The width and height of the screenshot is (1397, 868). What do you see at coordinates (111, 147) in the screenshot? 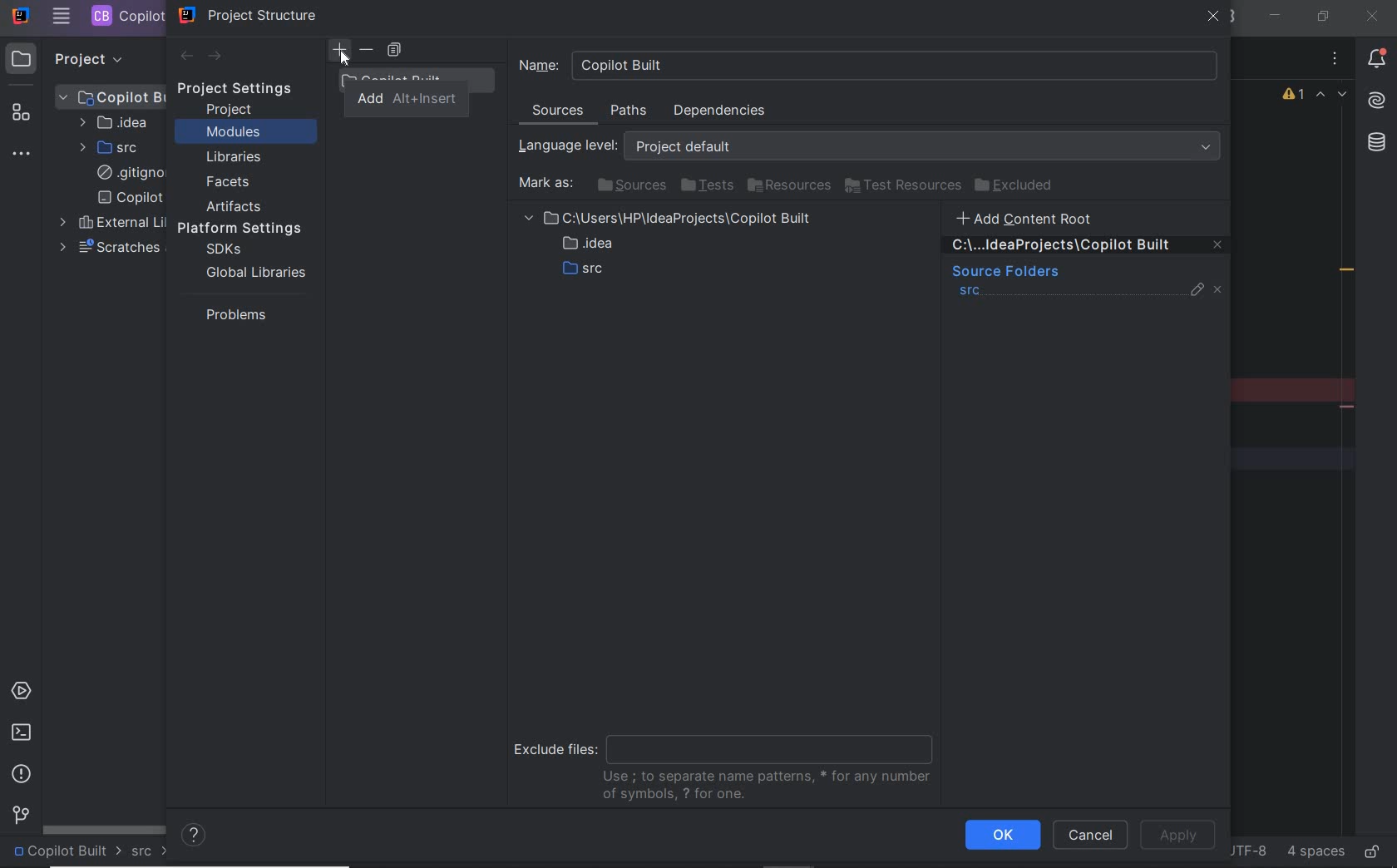
I see `SRC` at bounding box center [111, 147].